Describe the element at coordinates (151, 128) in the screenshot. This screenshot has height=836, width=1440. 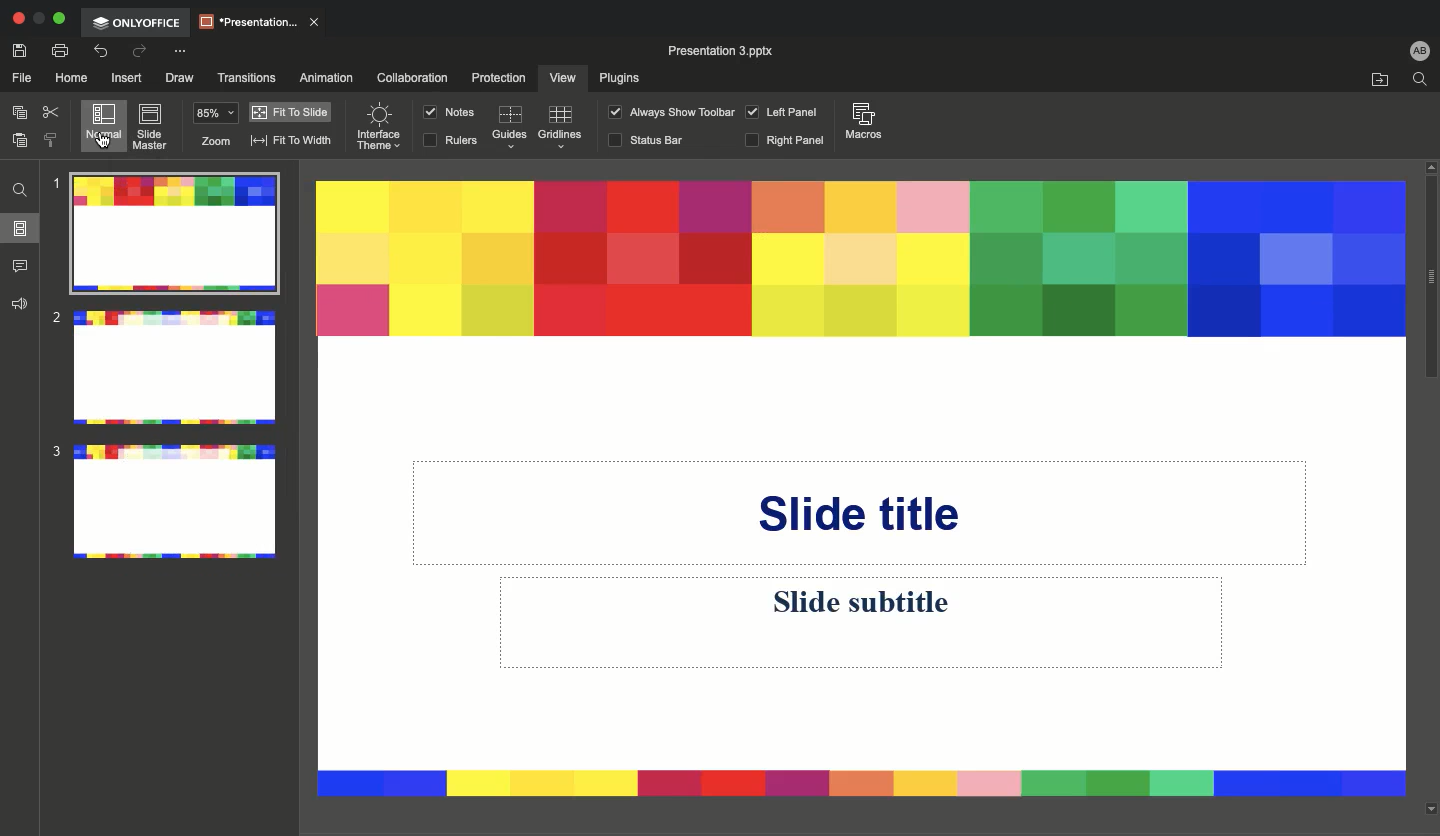
I see `Slide master` at that location.